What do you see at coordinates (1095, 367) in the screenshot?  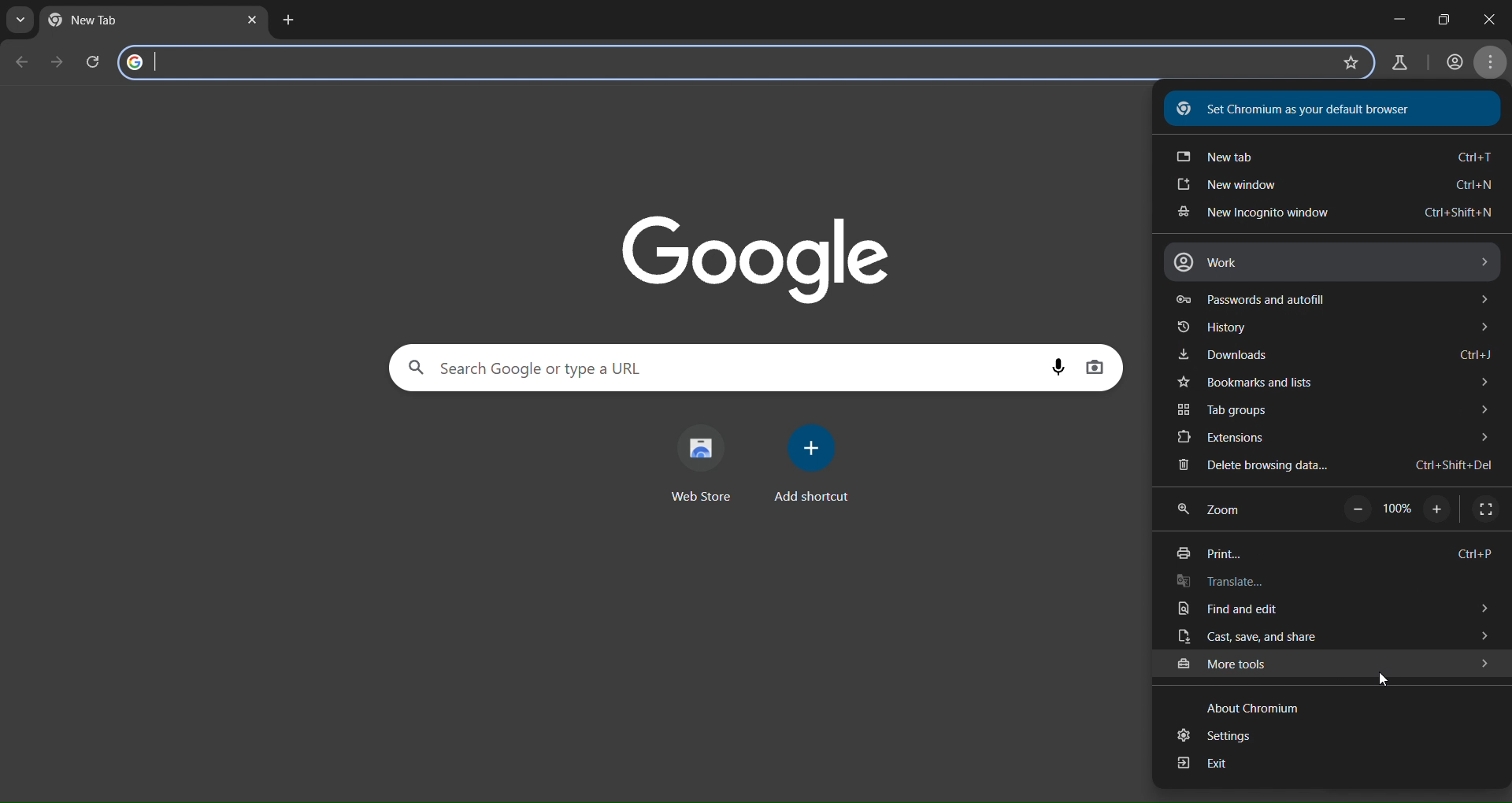 I see `image search` at bounding box center [1095, 367].